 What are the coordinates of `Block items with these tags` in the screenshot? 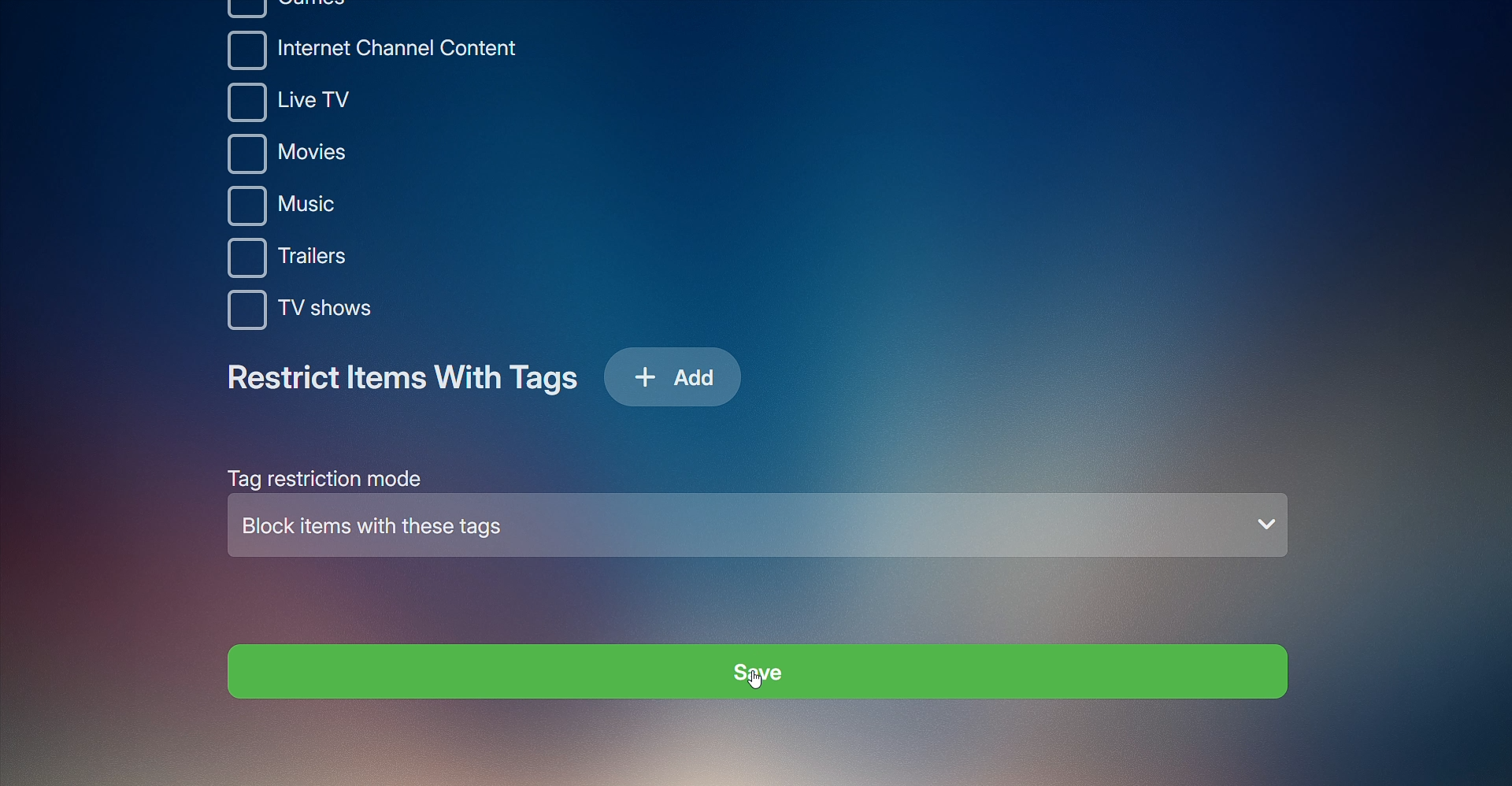 It's located at (757, 528).